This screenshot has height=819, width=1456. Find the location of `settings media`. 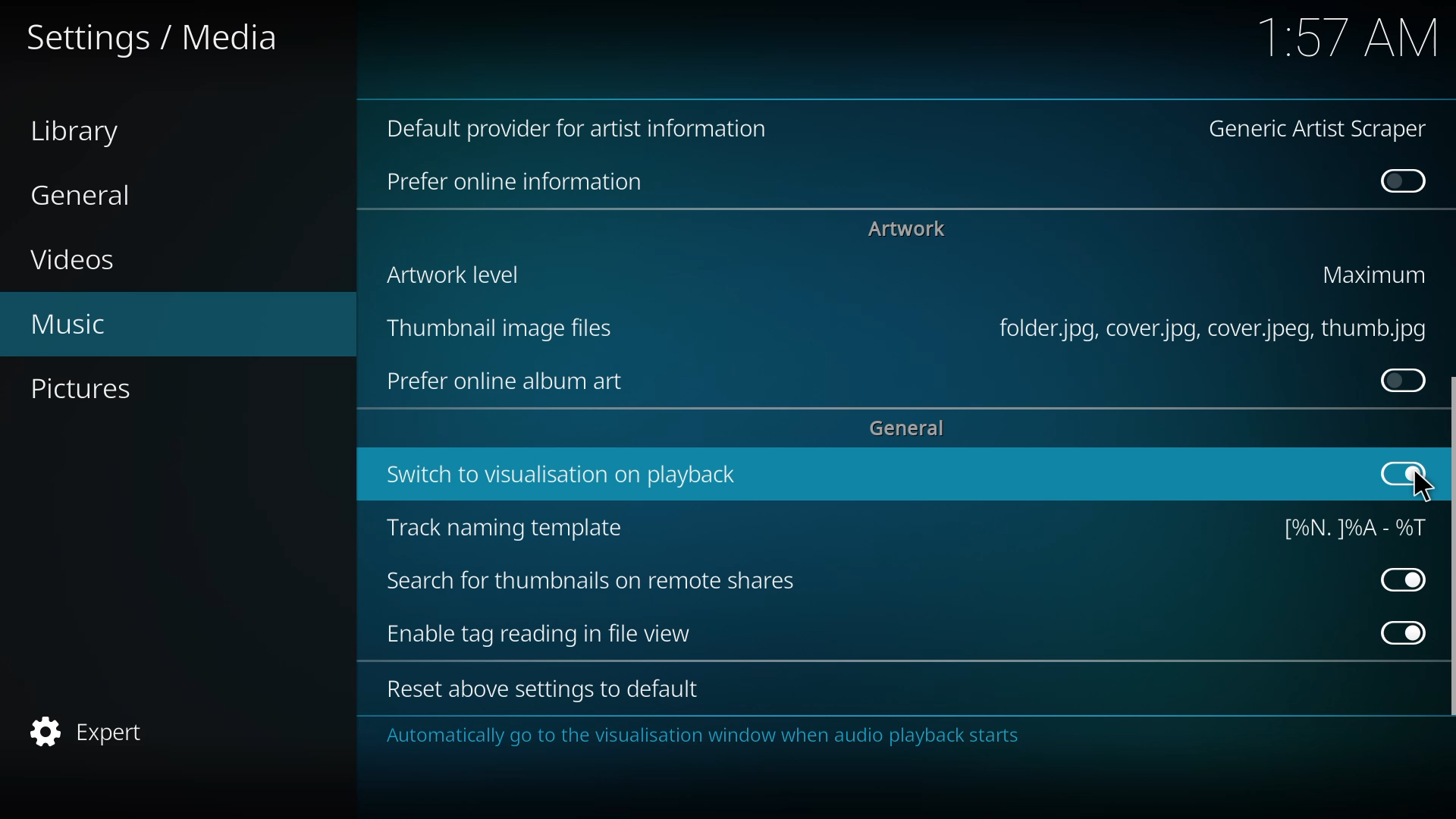

settings media is located at coordinates (161, 39).